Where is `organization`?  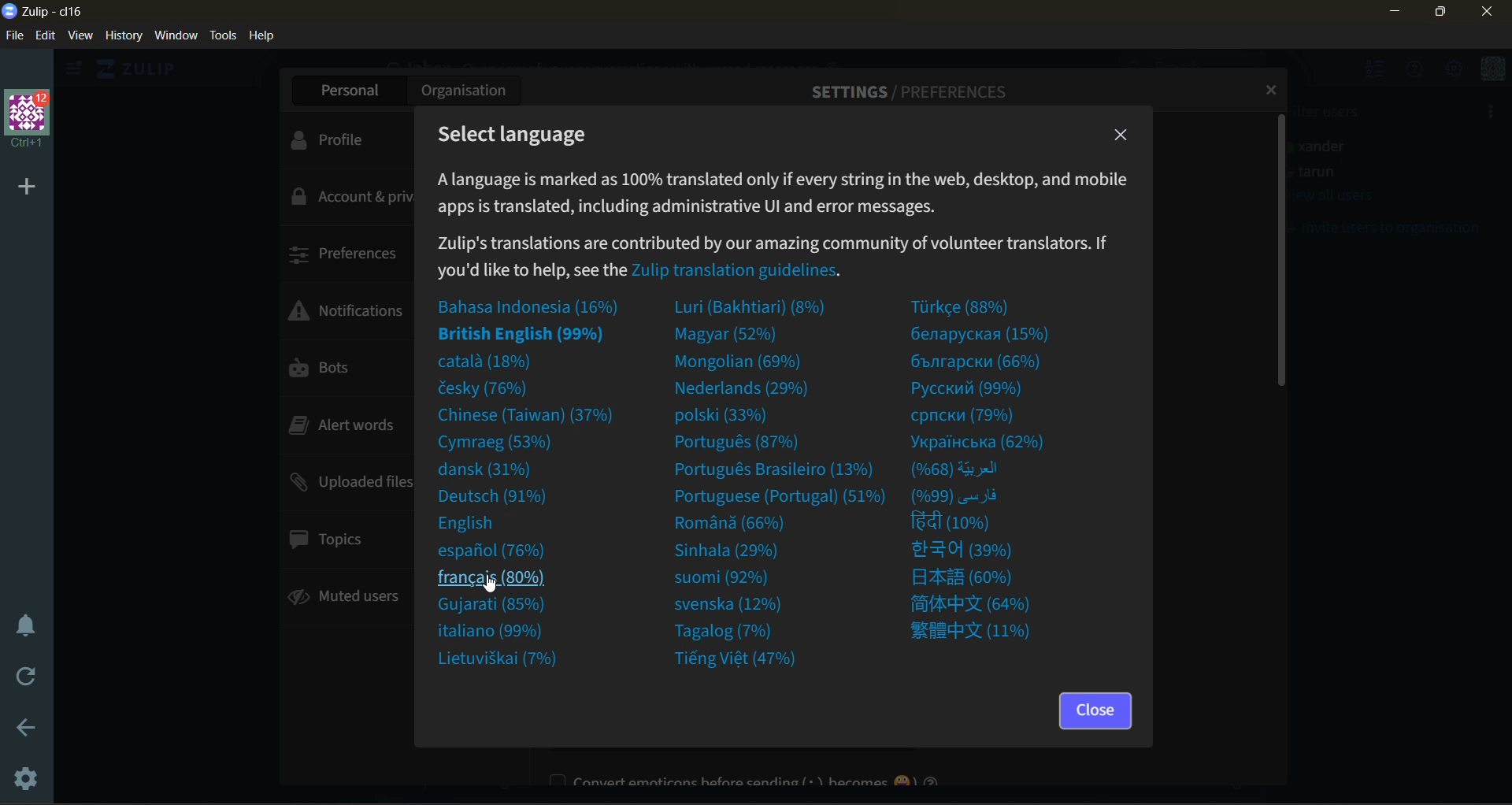
organization is located at coordinates (468, 89).